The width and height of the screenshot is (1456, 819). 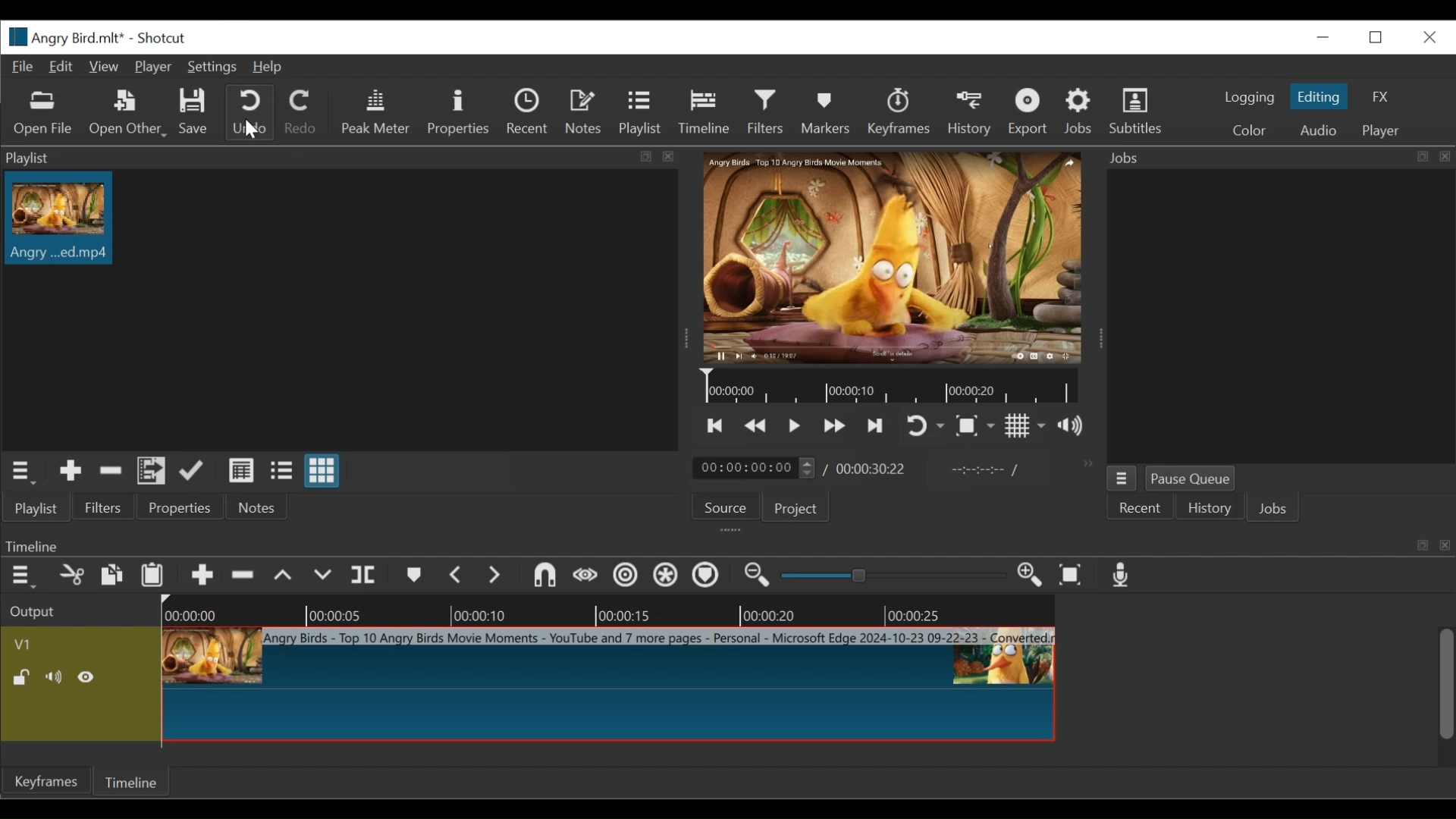 What do you see at coordinates (412, 576) in the screenshot?
I see `Markers` at bounding box center [412, 576].